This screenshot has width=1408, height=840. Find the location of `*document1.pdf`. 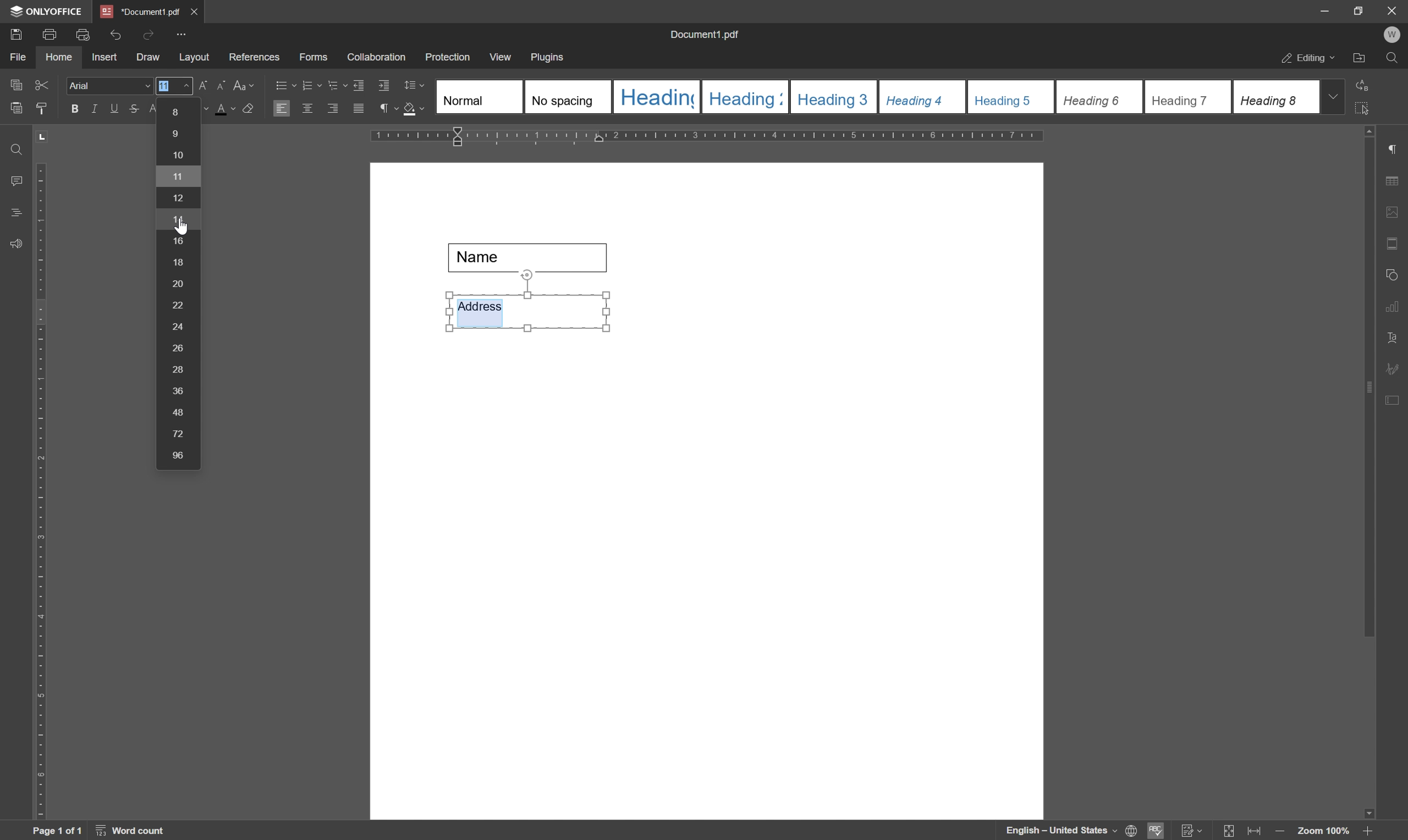

*document1.pdf is located at coordinates (140, 11).